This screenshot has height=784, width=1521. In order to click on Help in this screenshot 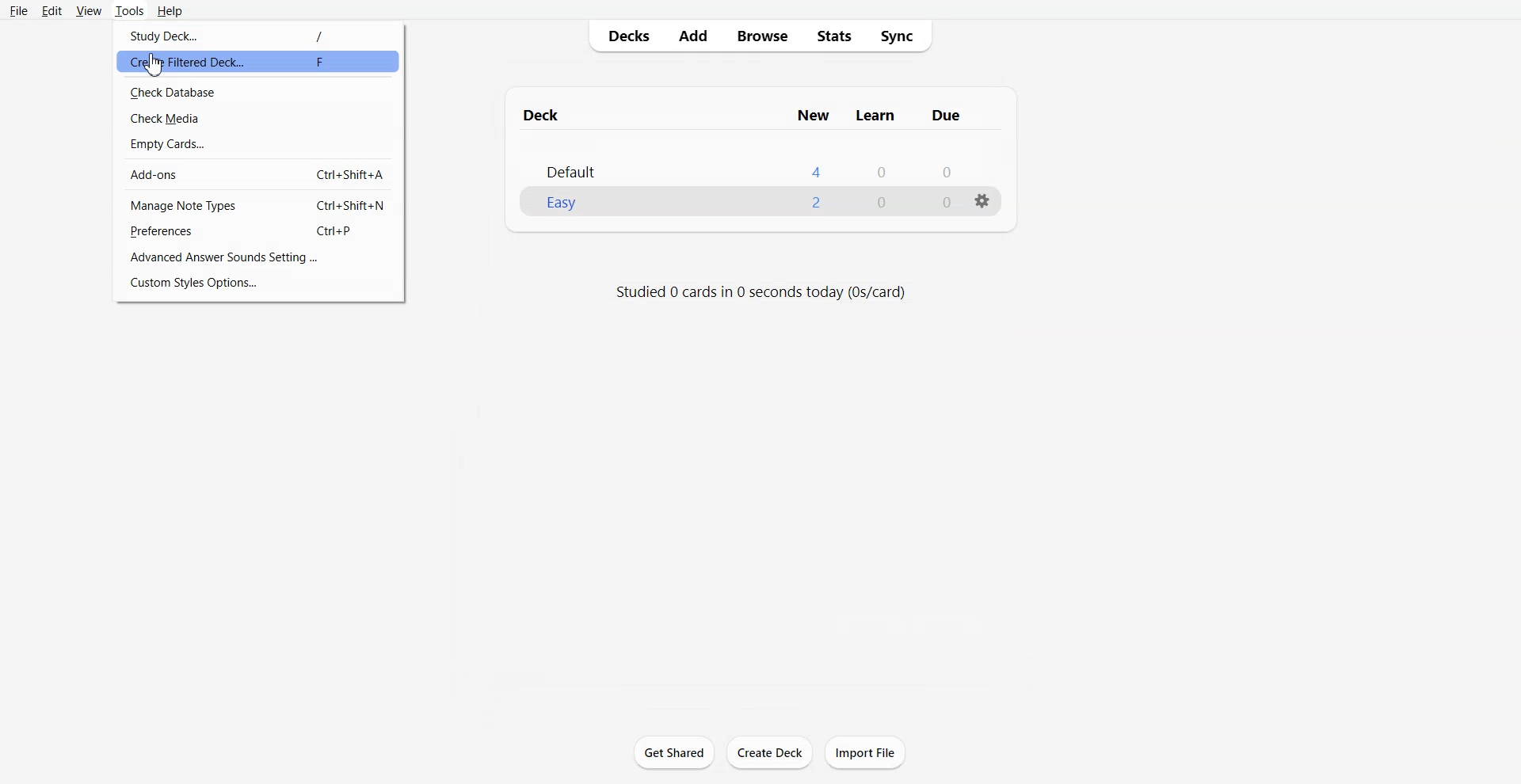, I will do `click(171, 11)`.